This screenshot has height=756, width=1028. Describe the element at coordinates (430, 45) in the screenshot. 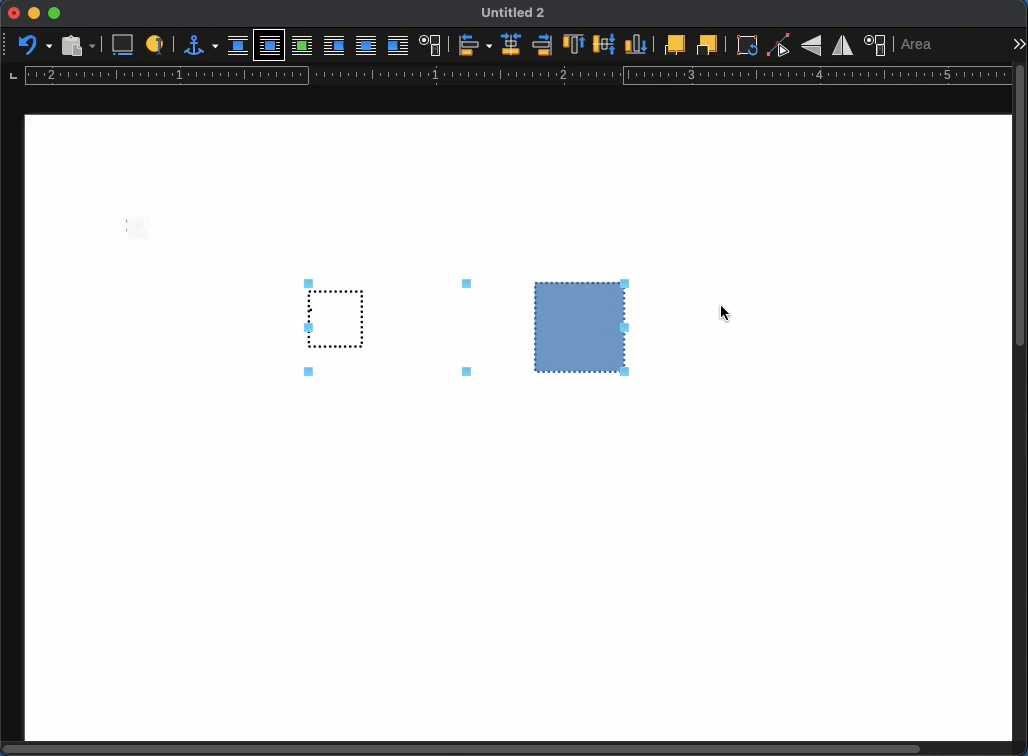

I see `text wrap` at that location.